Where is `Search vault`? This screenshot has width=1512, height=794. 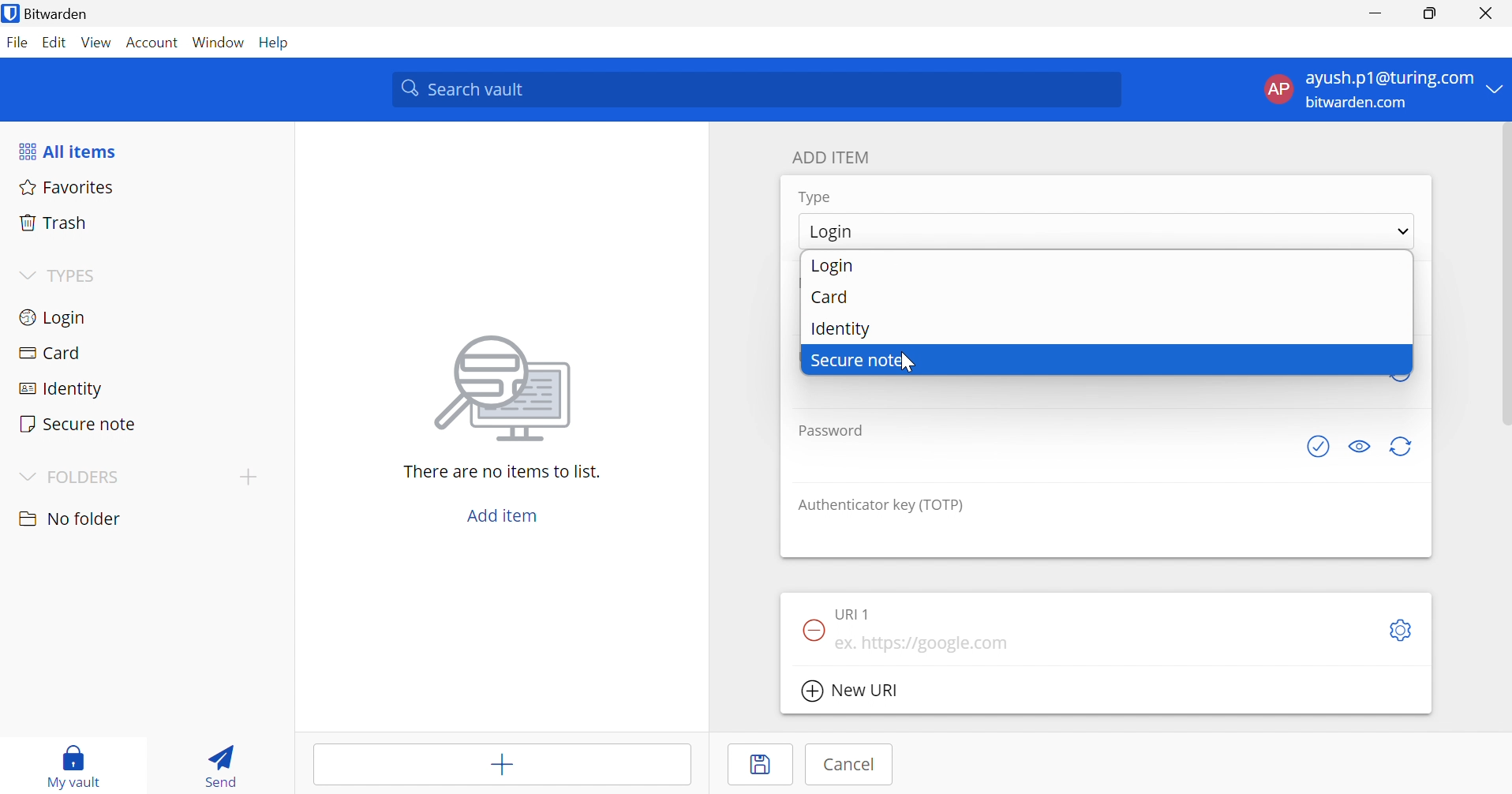 Search vault is located at coordinates (758, 90).